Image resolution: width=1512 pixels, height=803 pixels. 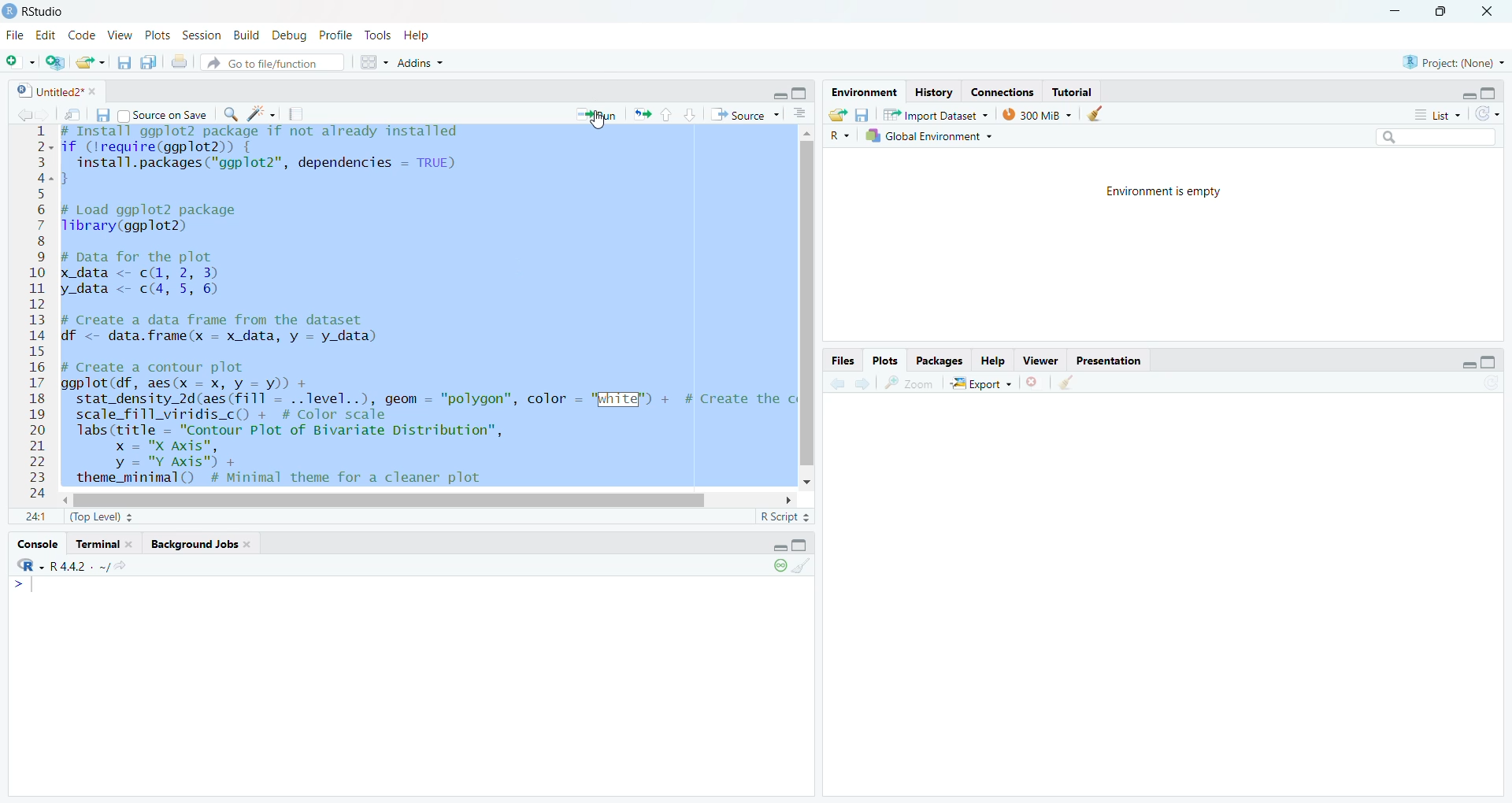 What do you see at coordinates (800, 94) in the screenshot?
I see `hide console` at bounding box center [800, 94].